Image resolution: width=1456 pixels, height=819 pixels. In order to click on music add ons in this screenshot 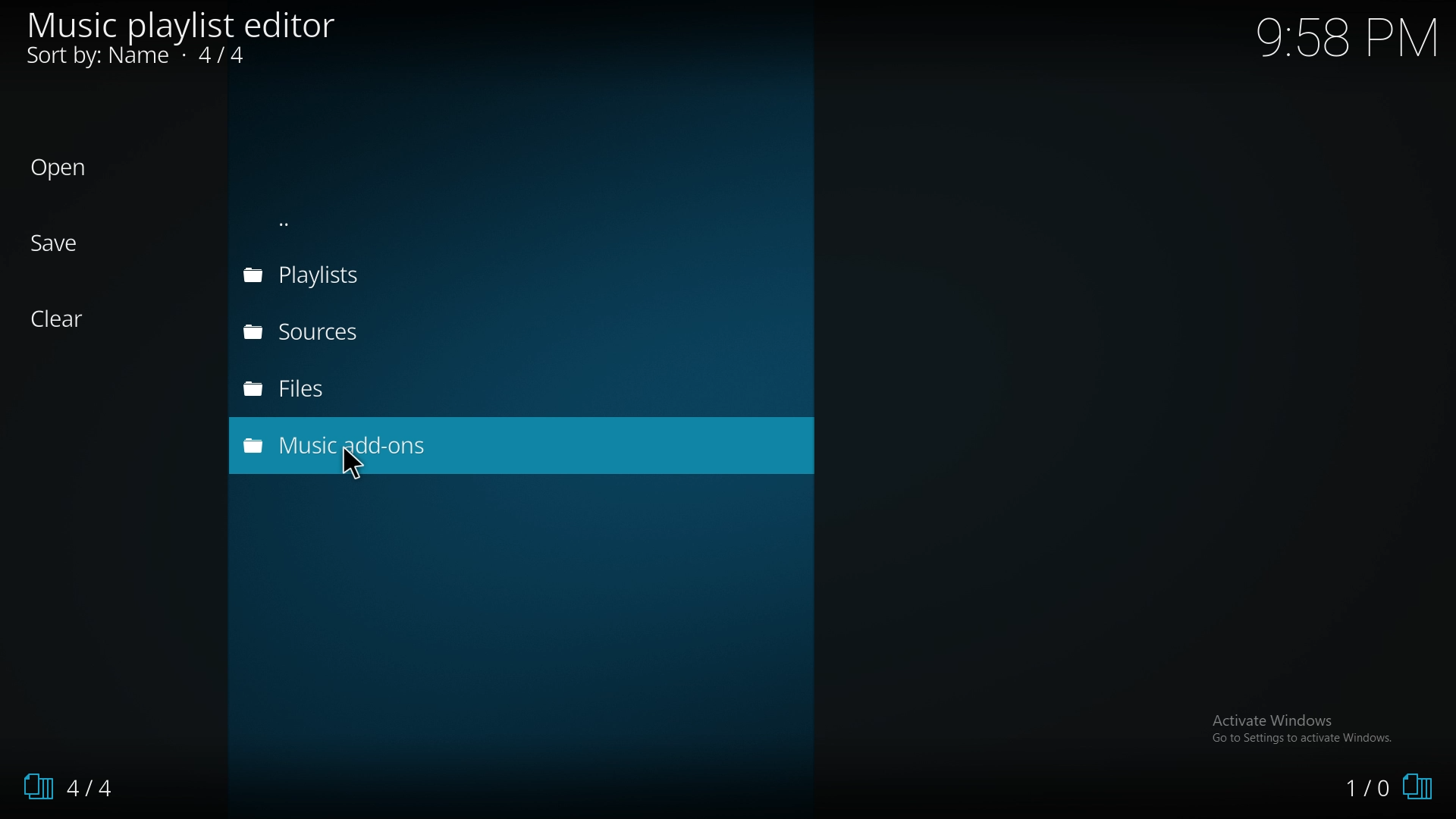, I will do `click(403, 444)`.